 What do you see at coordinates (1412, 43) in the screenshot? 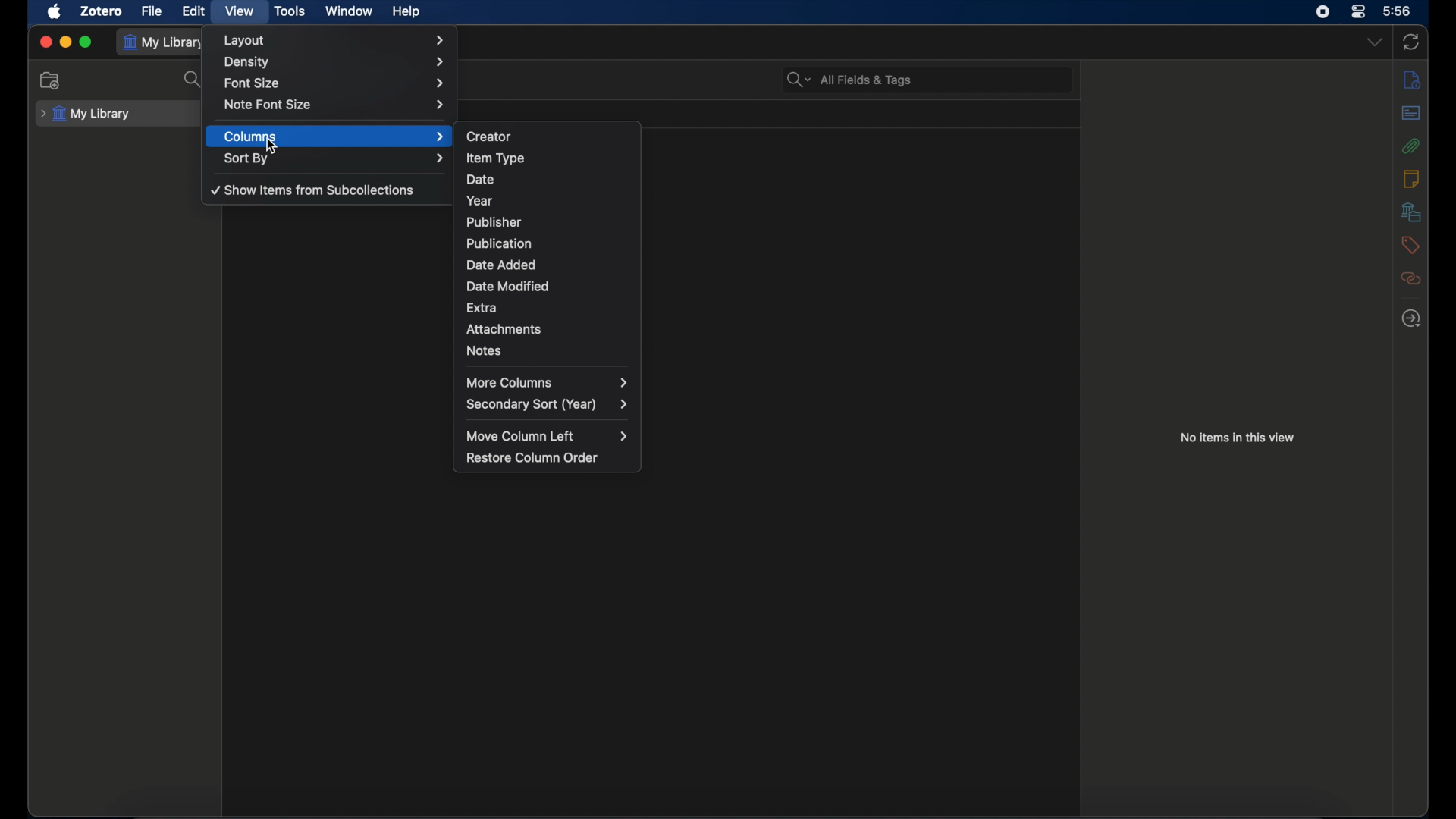
I see `sync` at bounding box center [1412, 43].